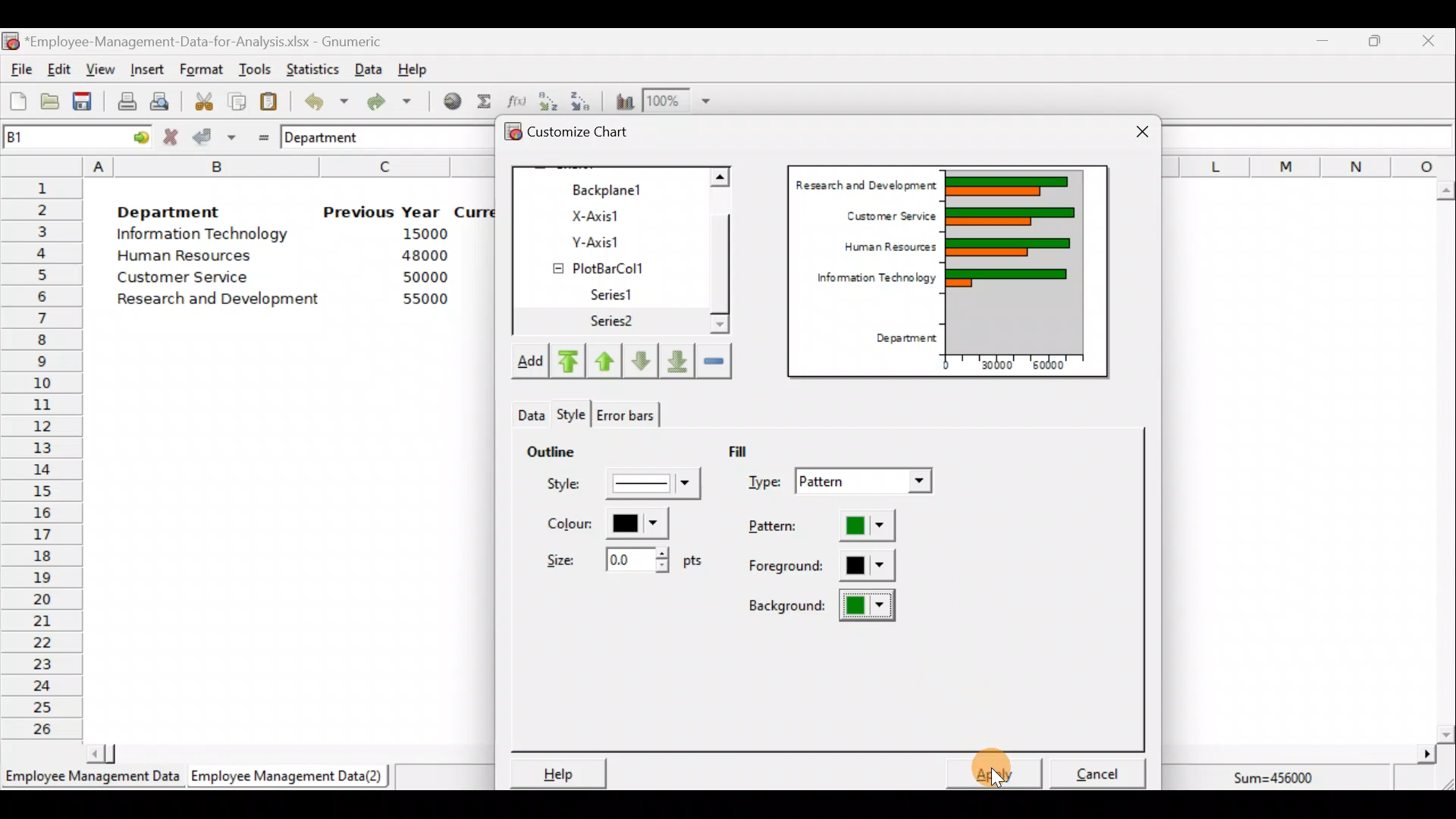  Describe the element at coordinates (604, 523) in the screenshot. I see `Color` at that location.